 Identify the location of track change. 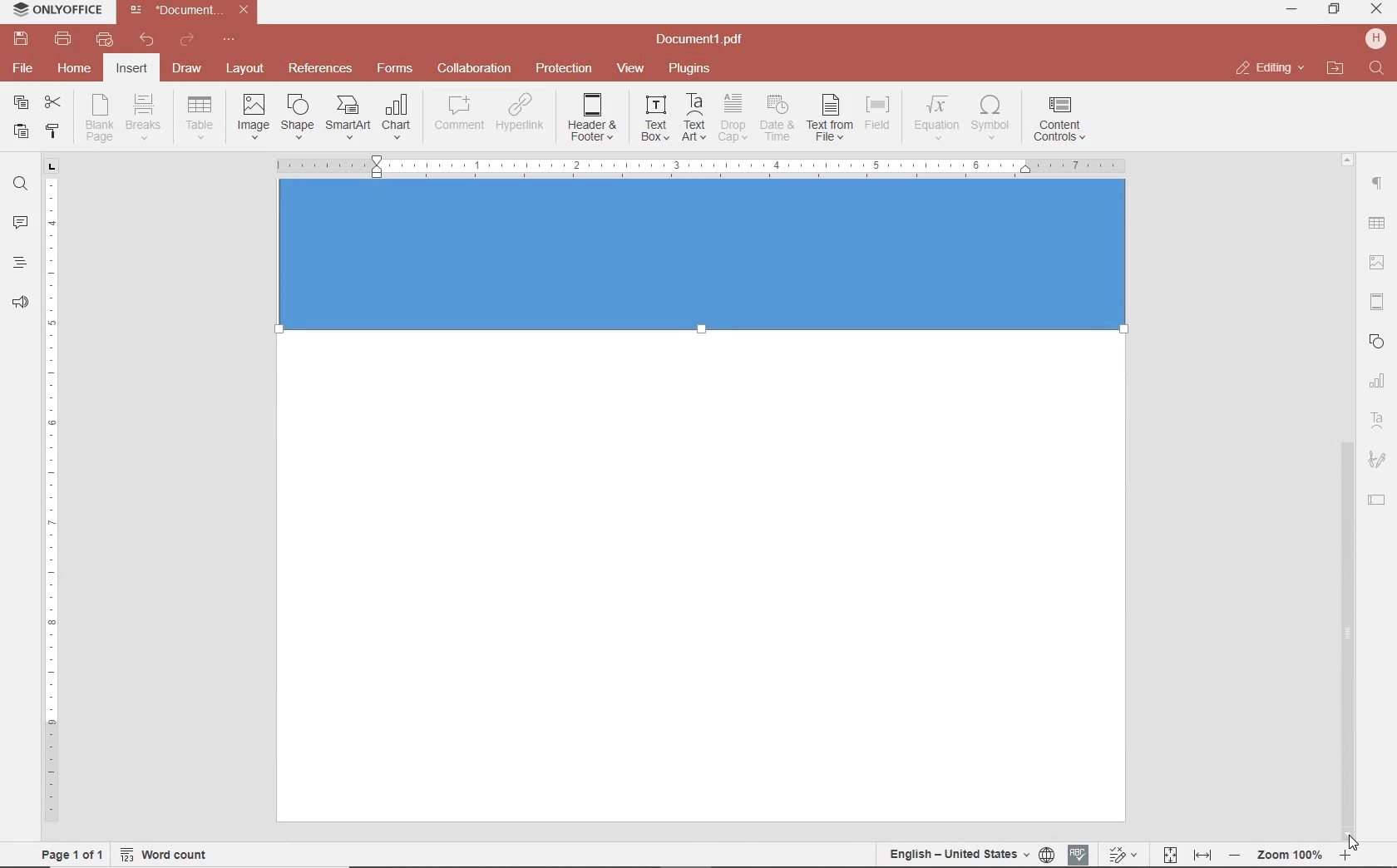
(1121, 856).